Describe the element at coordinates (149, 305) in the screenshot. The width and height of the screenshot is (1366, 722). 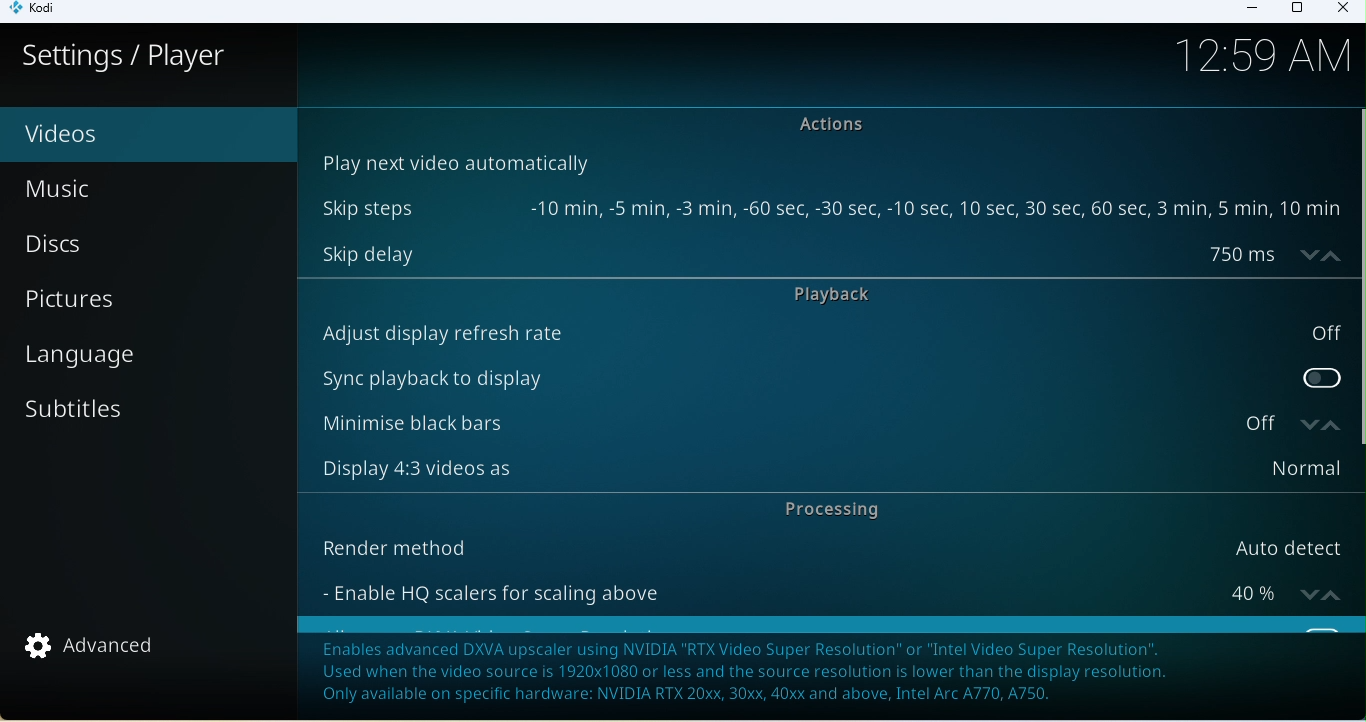
I see `Pictures` at that location.